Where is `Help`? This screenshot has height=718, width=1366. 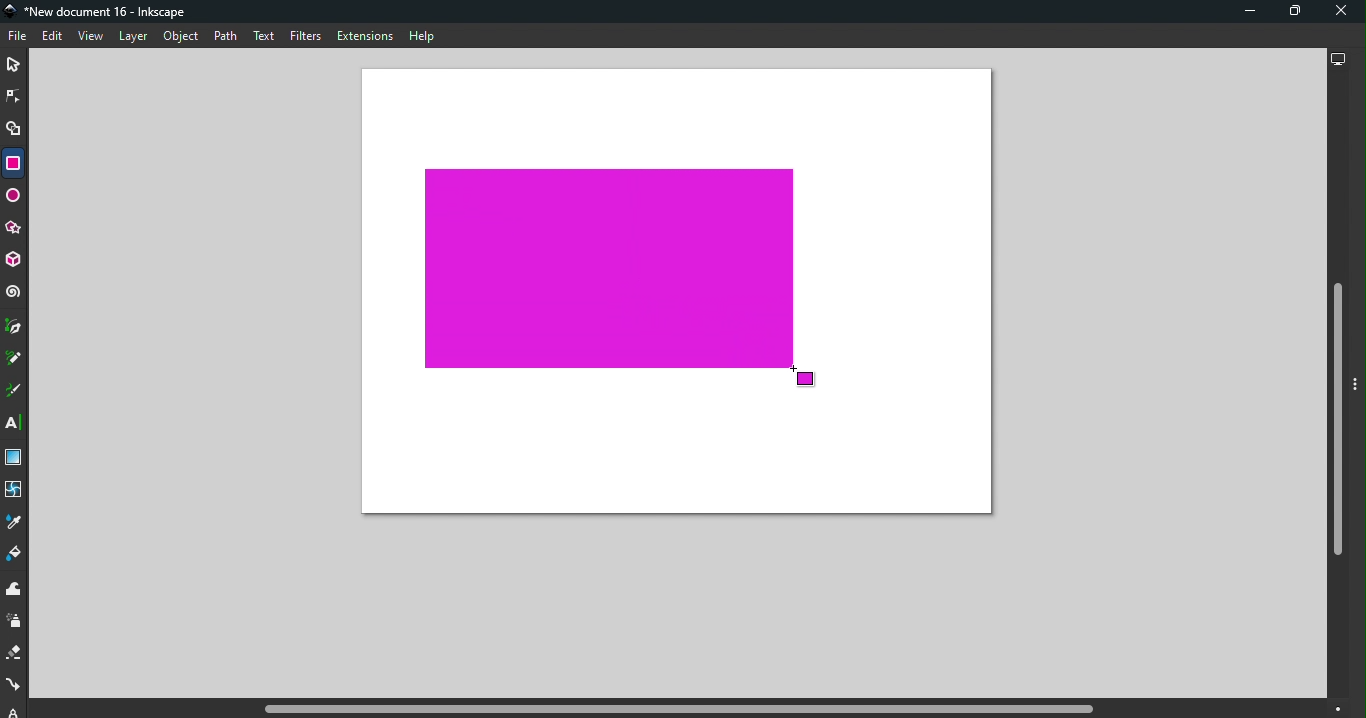 Help is located at coordinates (422, 36).